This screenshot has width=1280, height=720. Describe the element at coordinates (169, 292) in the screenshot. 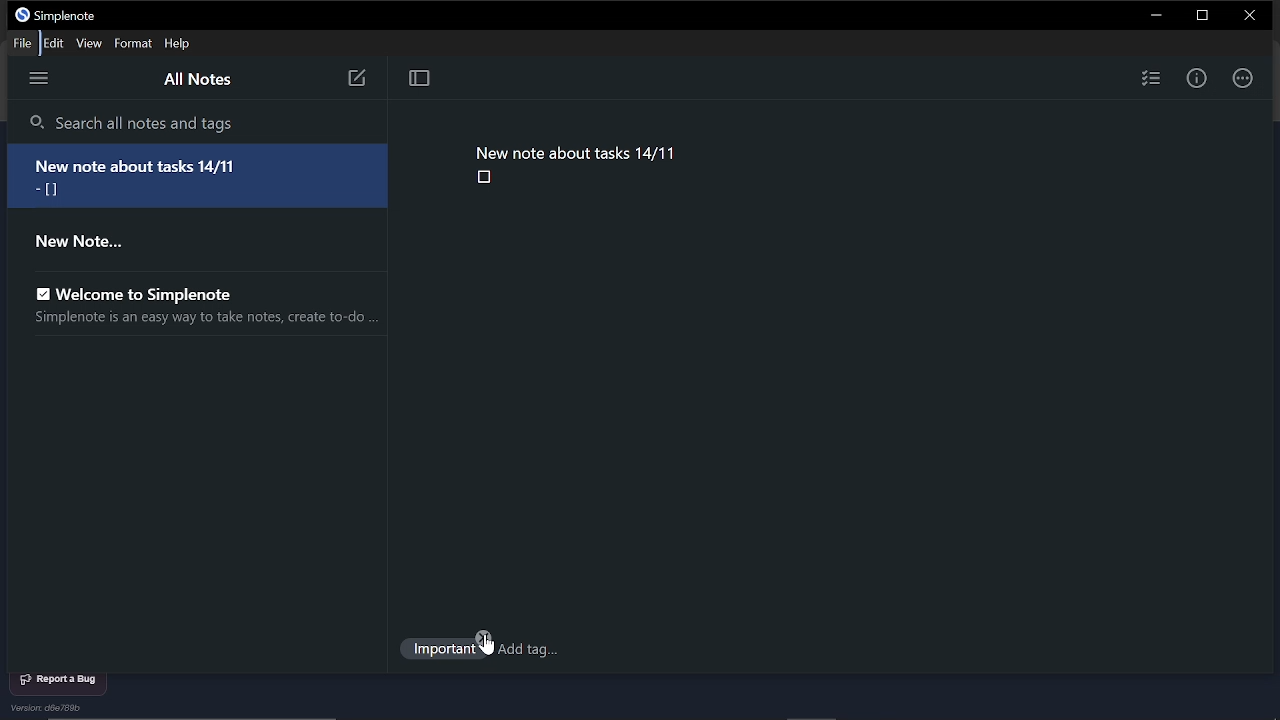

I see `Note titled "Welcome to simplenote"` at that location.